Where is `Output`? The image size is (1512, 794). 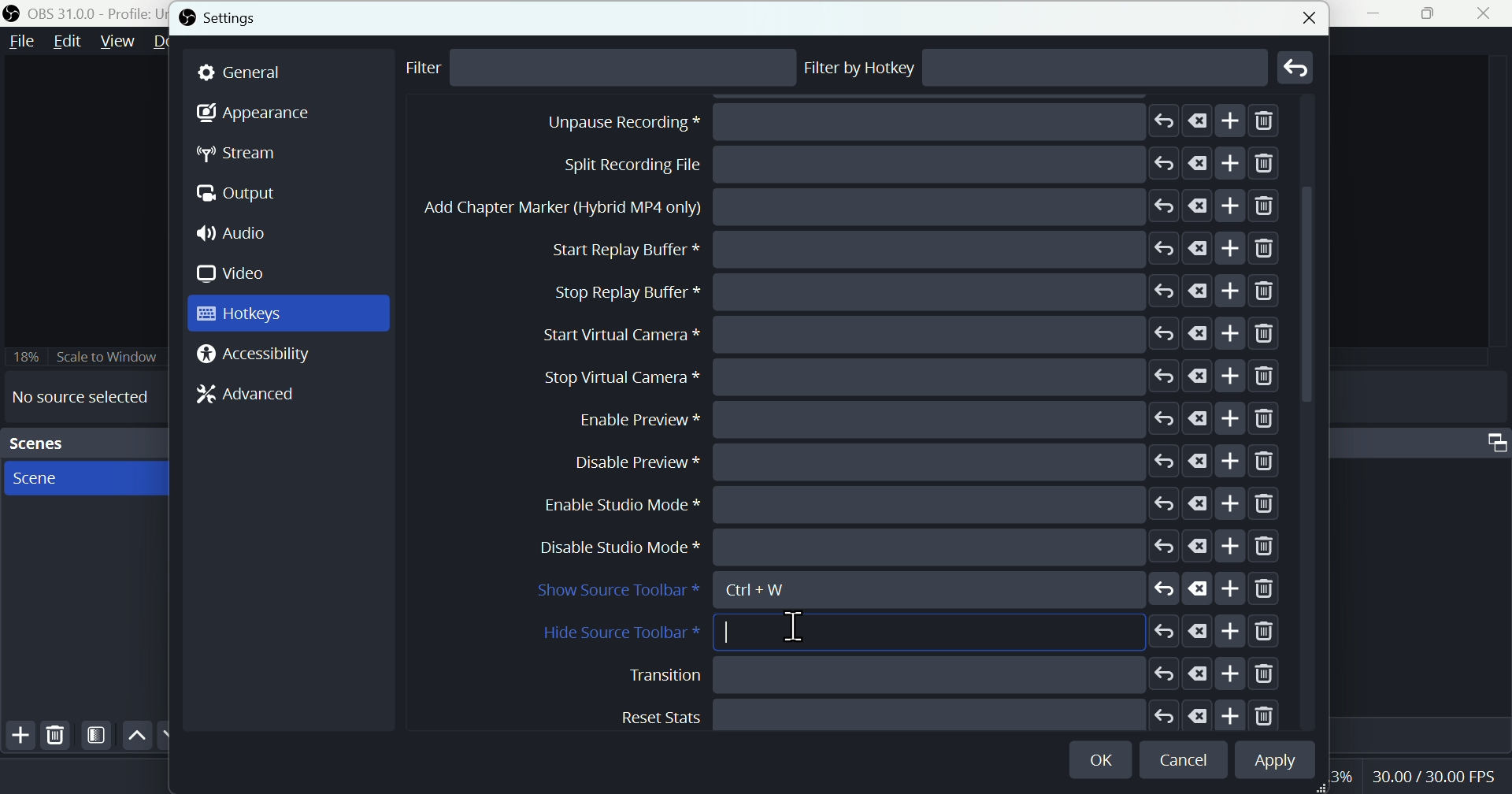 Output is located at coordinates (245, 195).